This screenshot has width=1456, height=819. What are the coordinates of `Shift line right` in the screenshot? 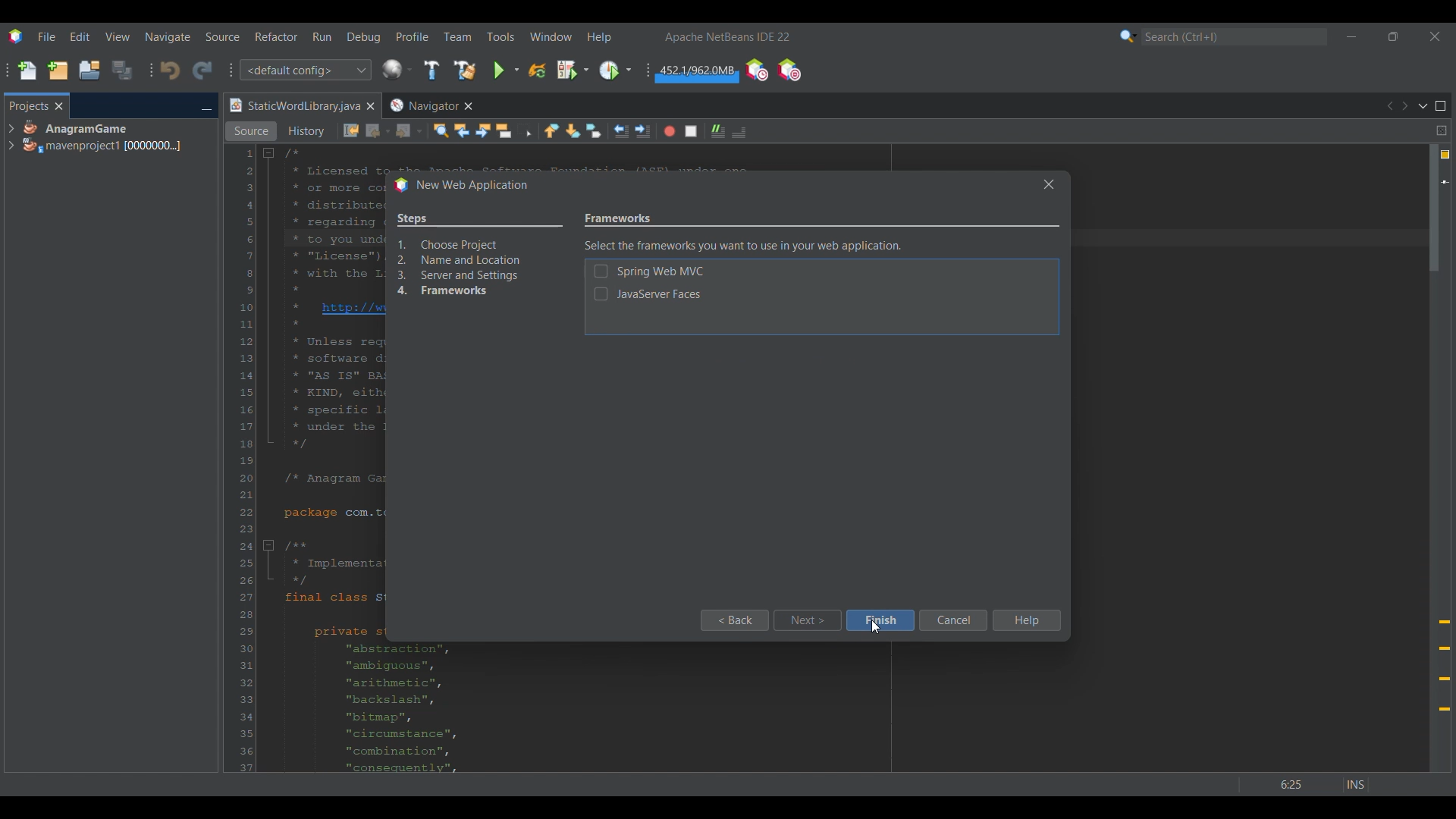 It's located at (642, 131).